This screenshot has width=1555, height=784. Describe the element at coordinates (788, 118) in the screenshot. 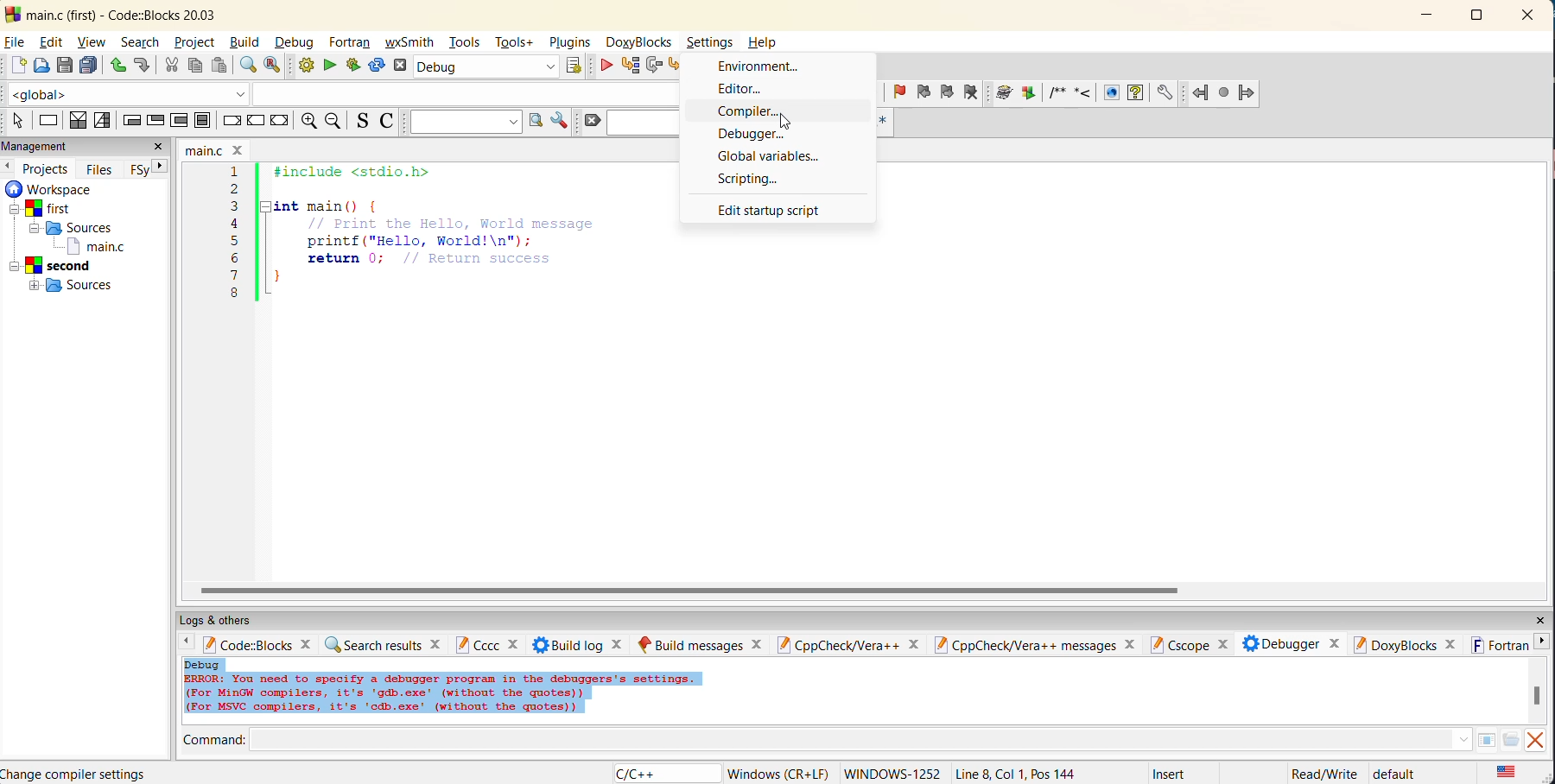

I see `Cursor` at that location.